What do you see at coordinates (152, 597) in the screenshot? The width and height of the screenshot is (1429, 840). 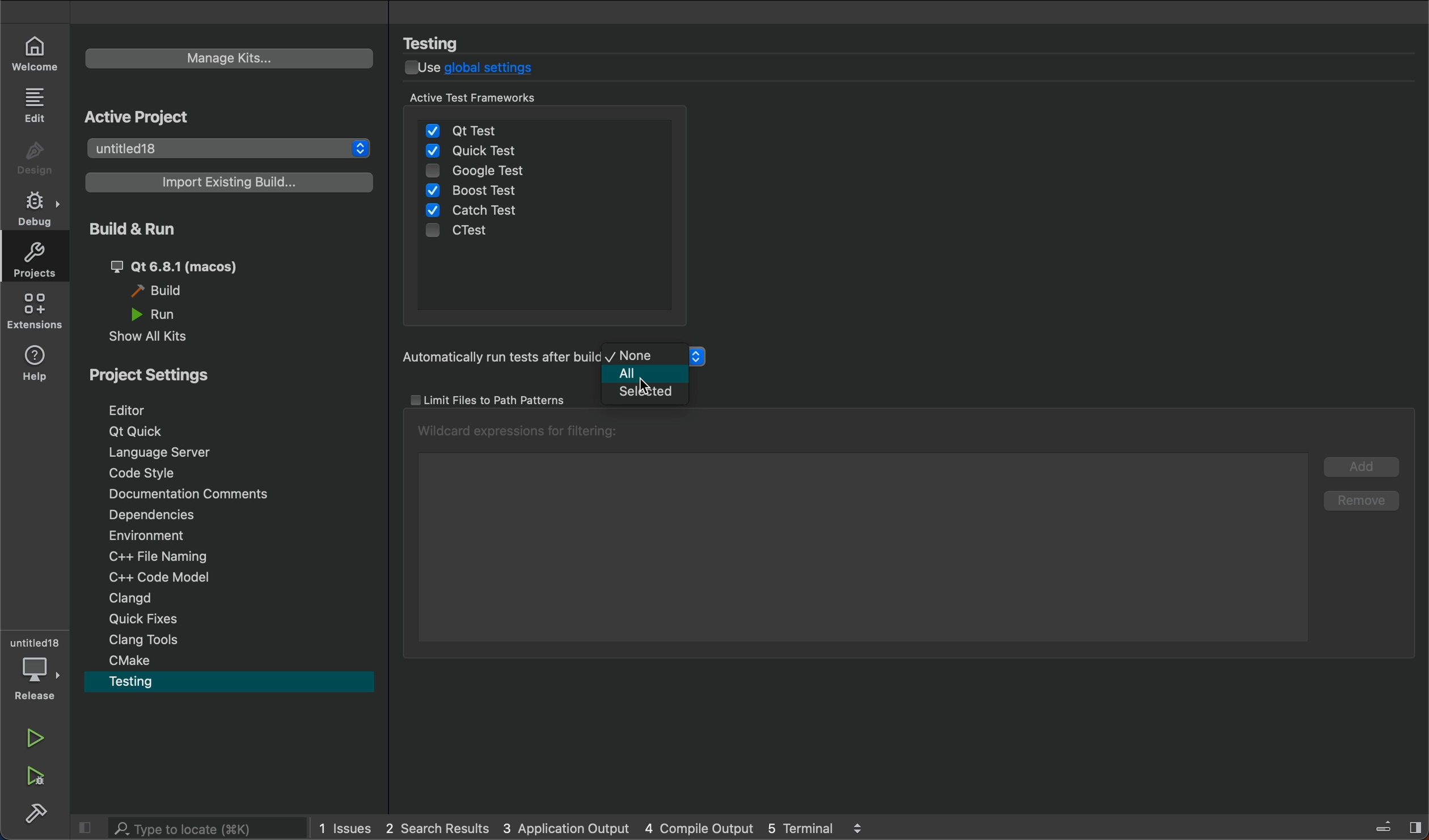 I see `clangd` at bounding box center [152, 597].